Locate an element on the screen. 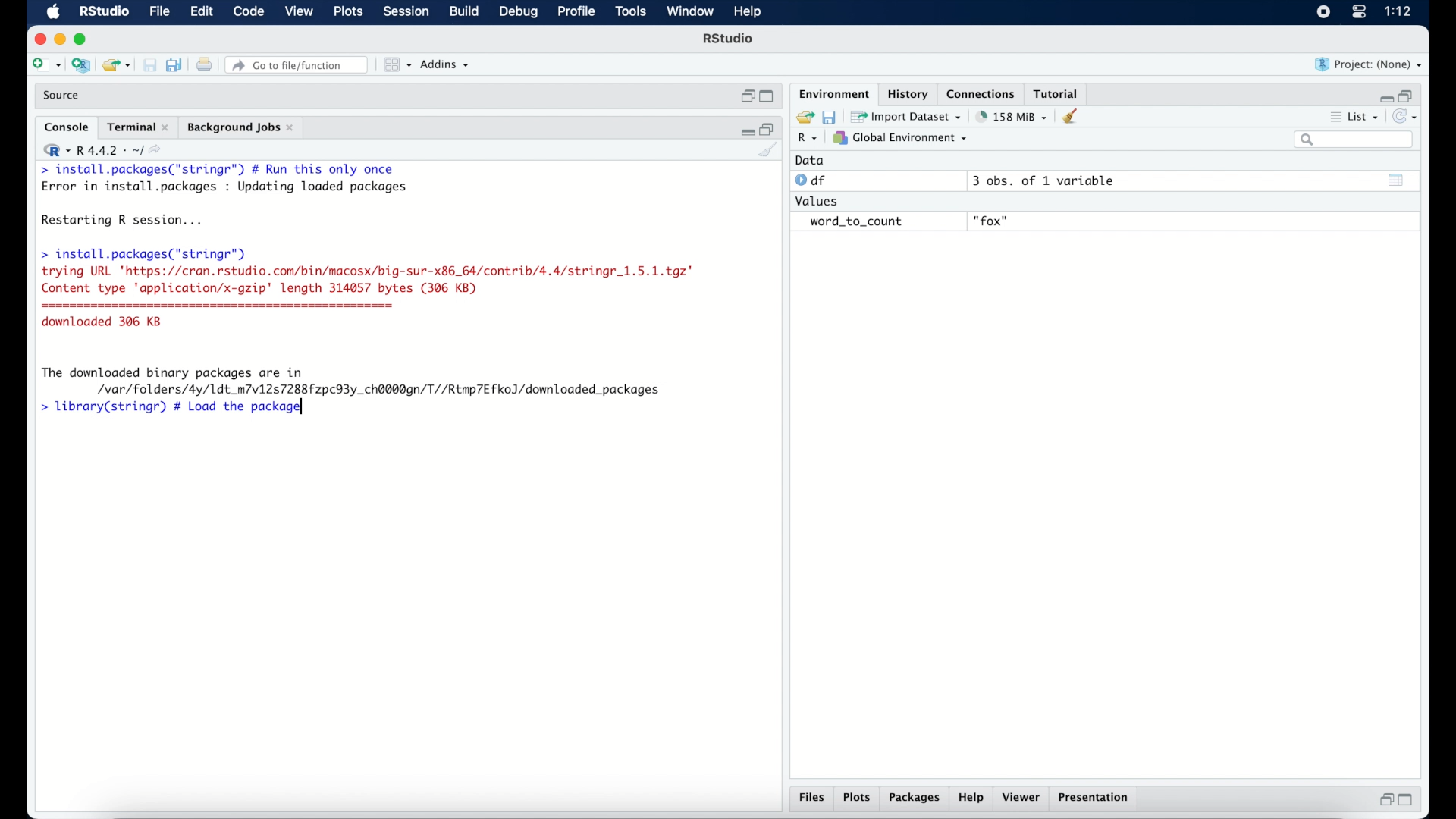  df is located at coordinates (813, 180).